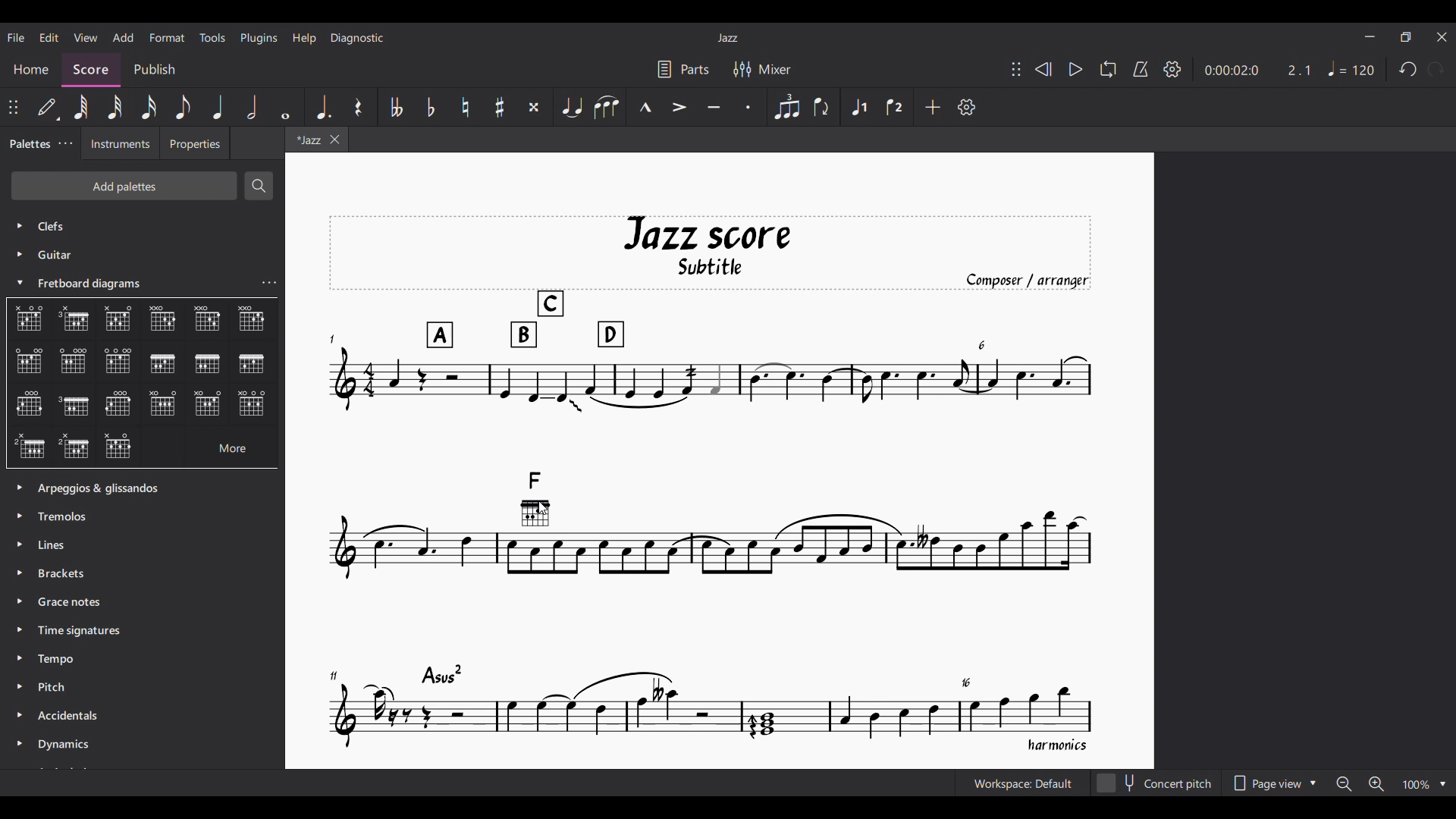 This screenshot has width=1456, height=819. Describe the element at coordinates (288, 108) in the screenshot. I see `Whole note` at that location.